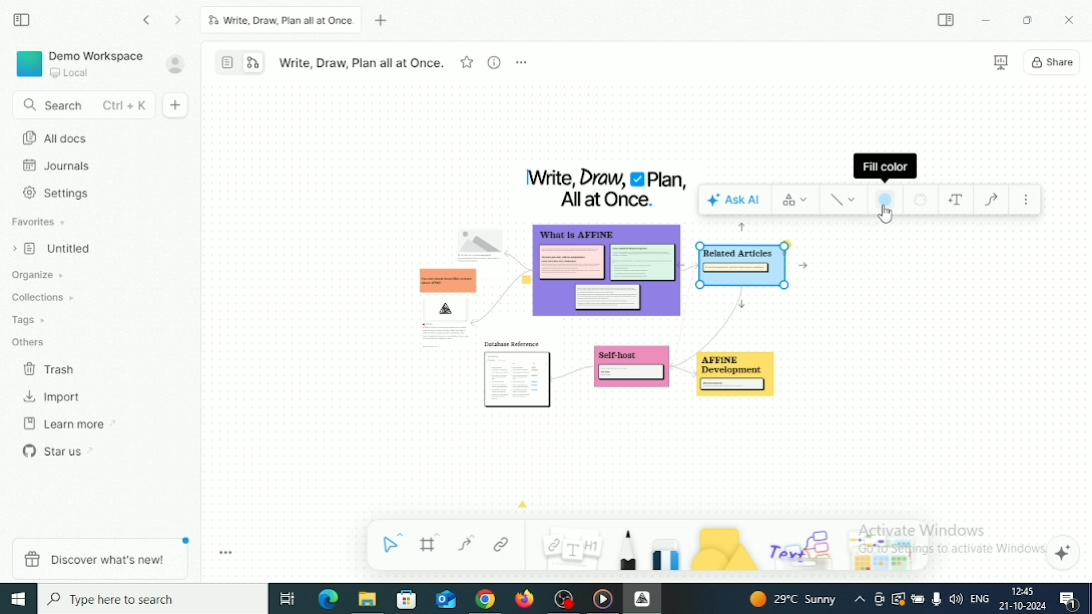 This screenshot has height=614, width=1092. I want to click on Switch, so click(240, 61).